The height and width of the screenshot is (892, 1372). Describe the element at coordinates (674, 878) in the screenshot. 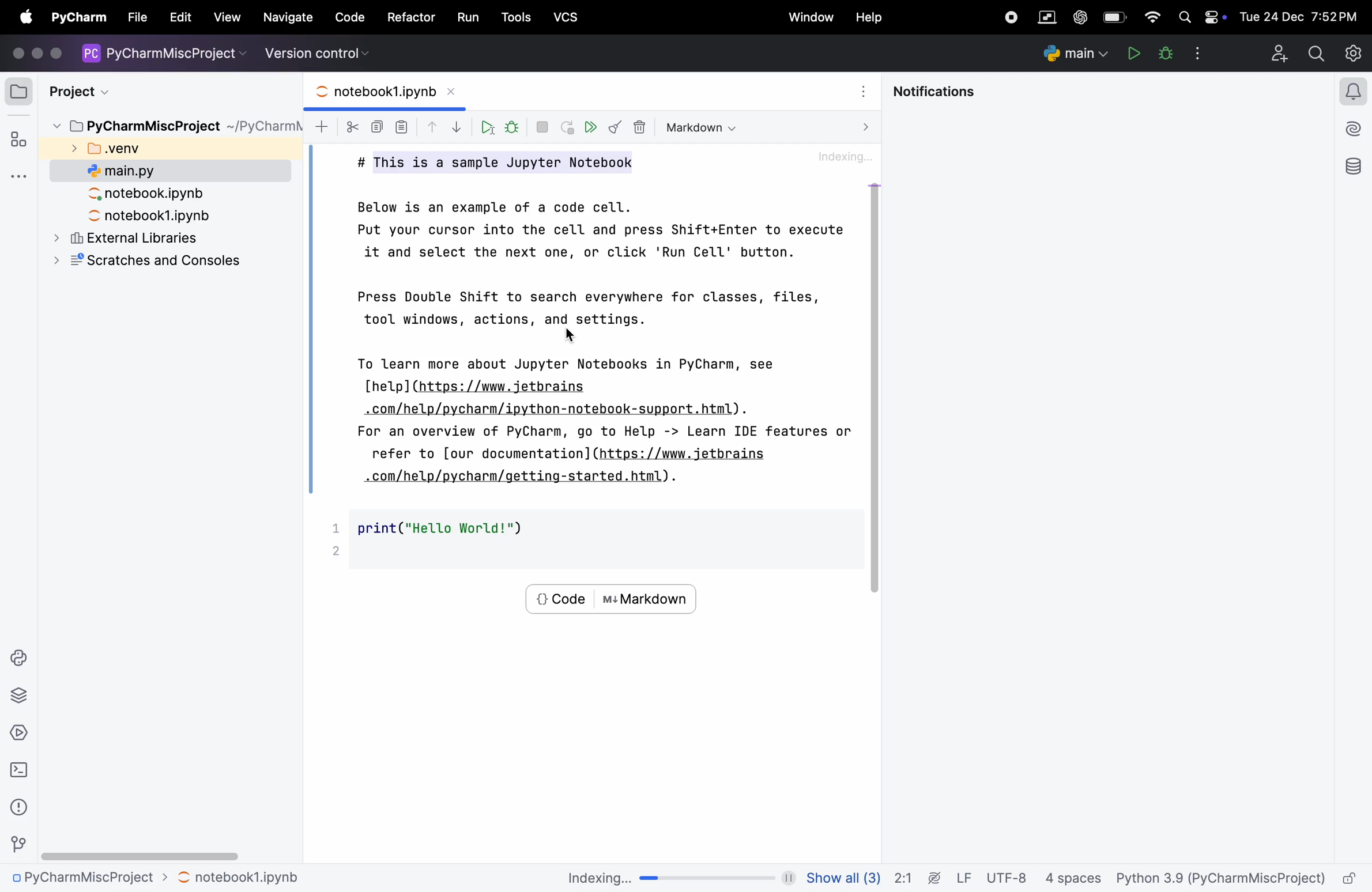

I see `indexing` at that location.